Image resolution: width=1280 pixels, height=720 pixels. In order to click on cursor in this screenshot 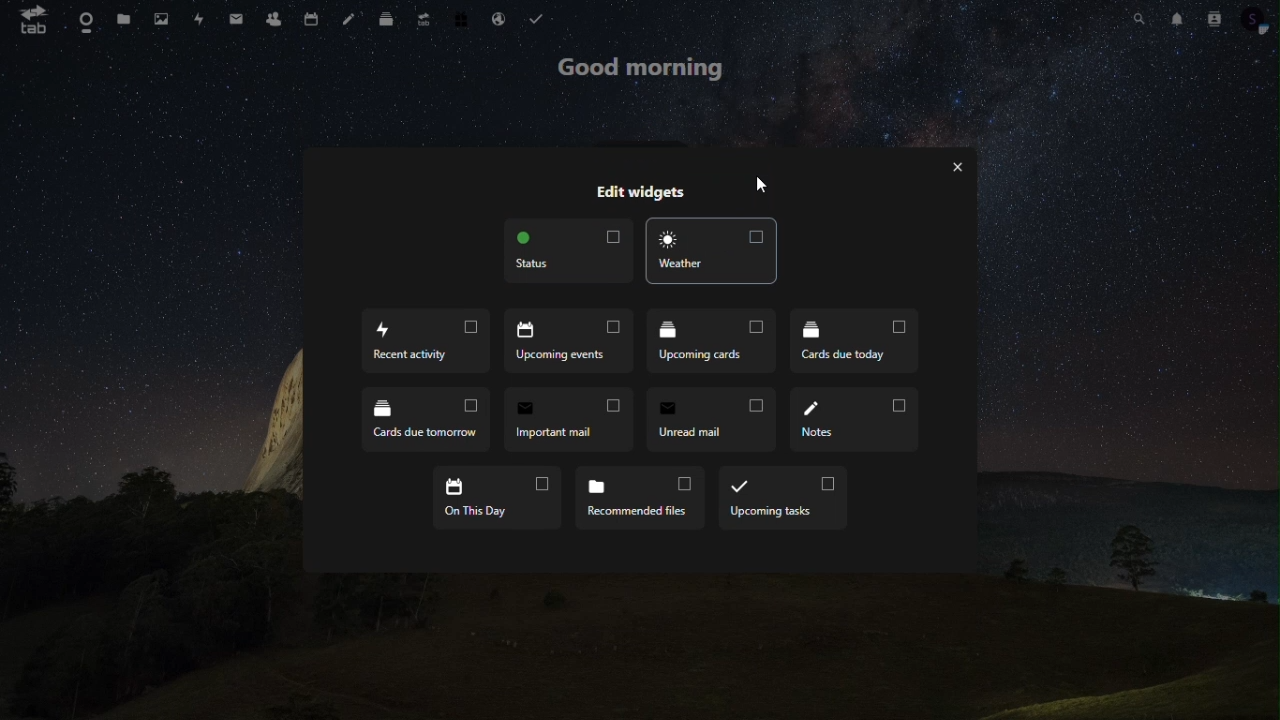, I will do `click(762, 190)`.